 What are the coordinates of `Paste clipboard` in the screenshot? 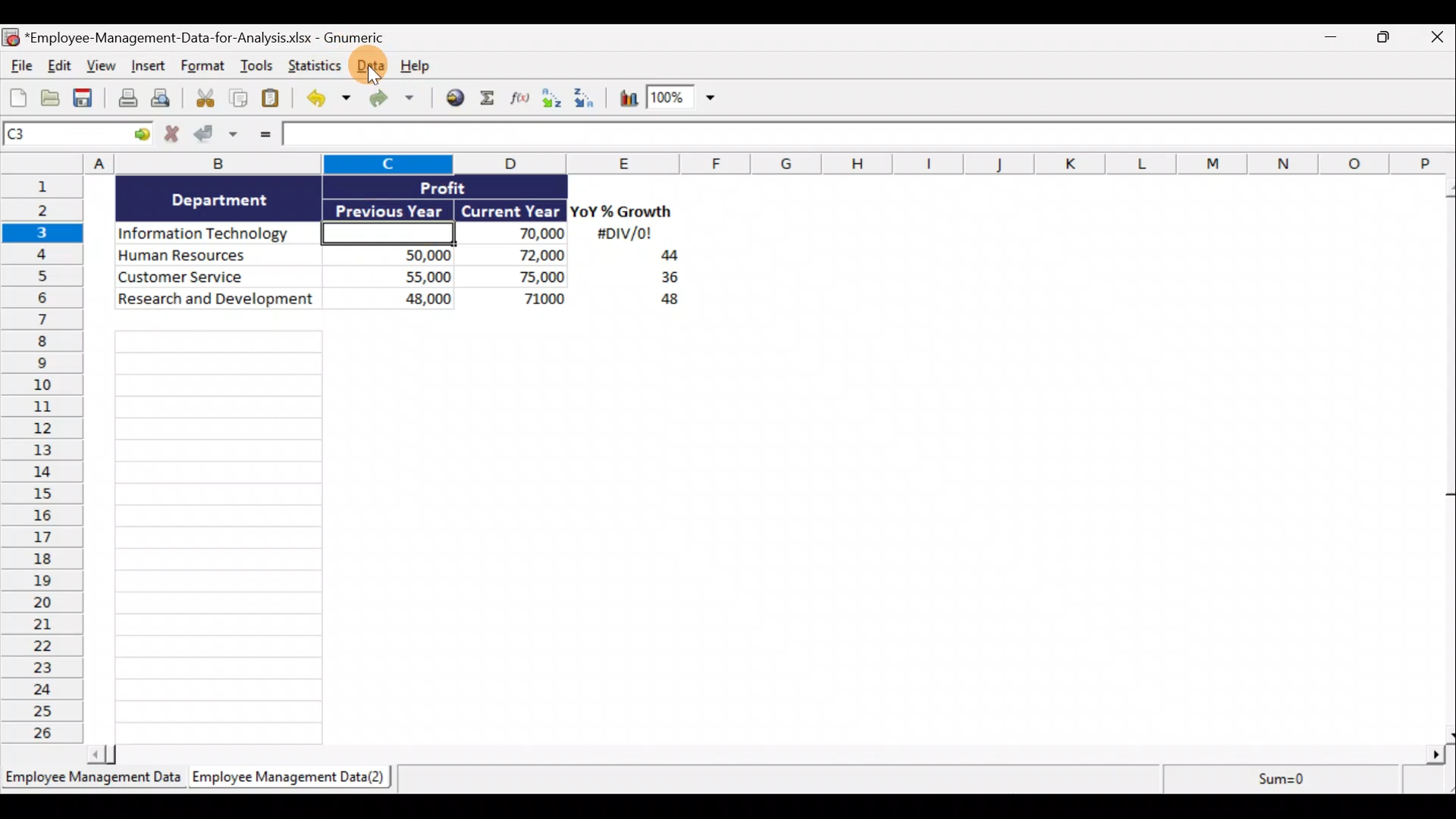 It's located at (275, 99).